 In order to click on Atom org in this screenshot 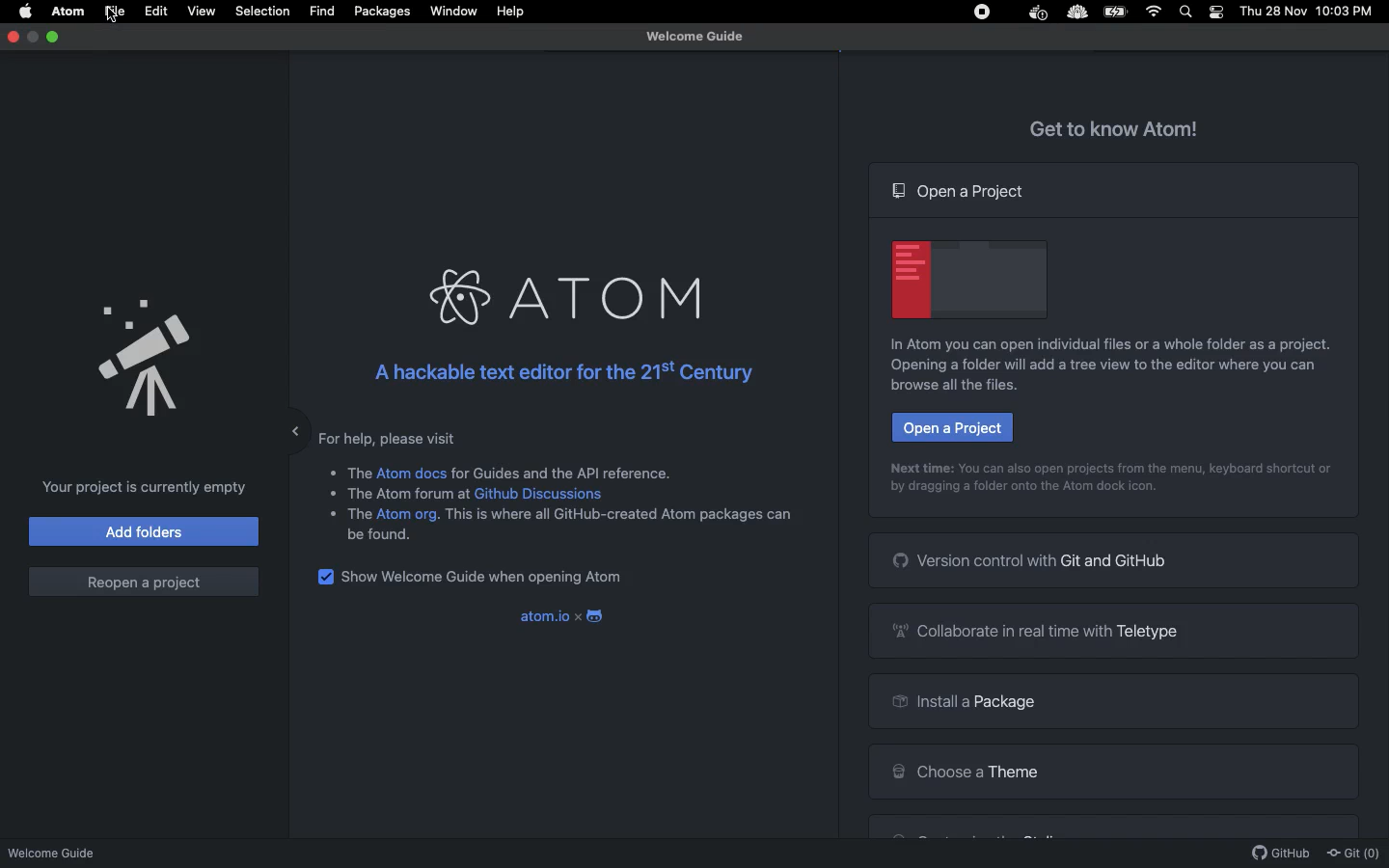, I will do `click(408, 517)`.